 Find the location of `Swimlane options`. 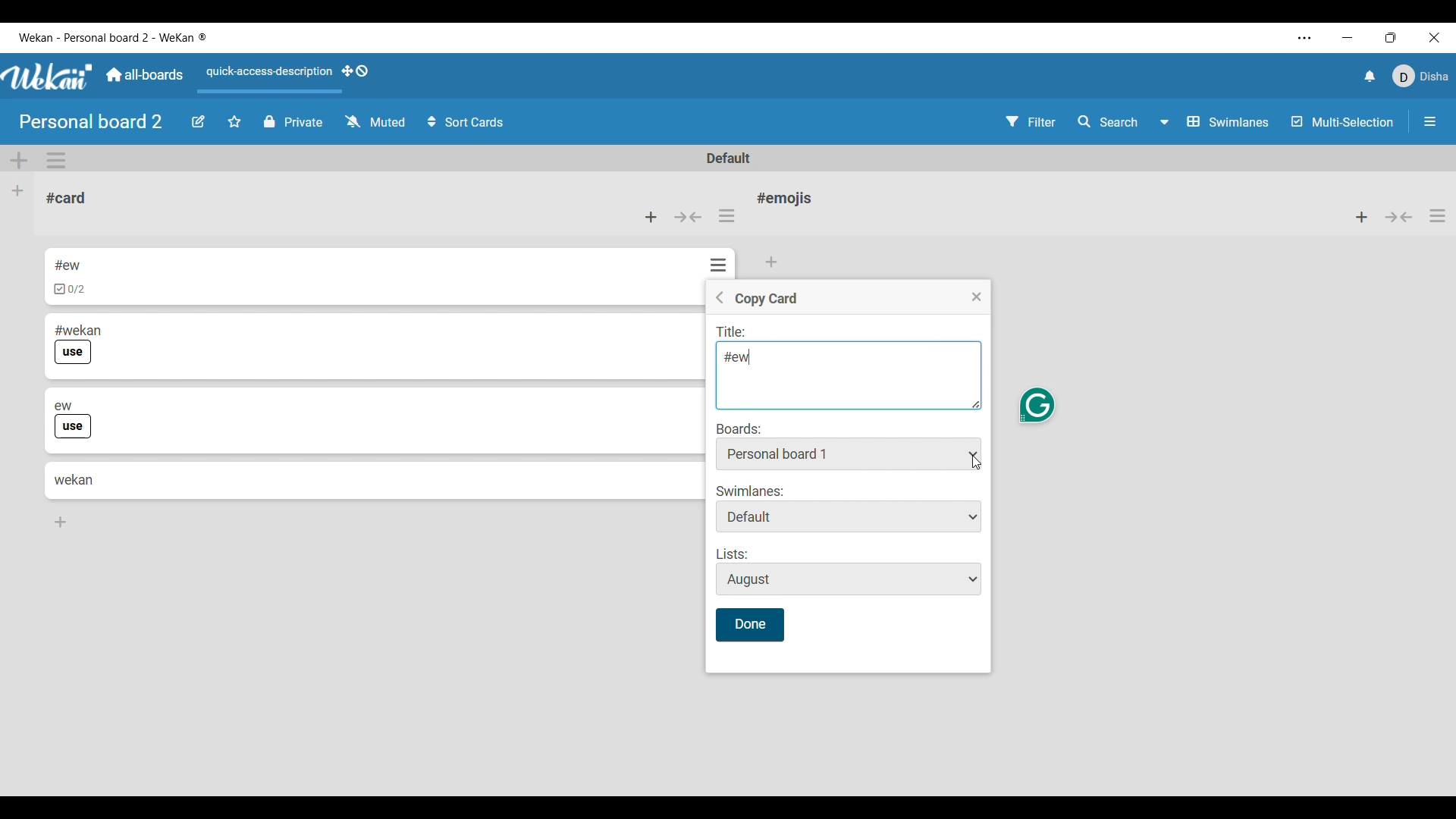

Swimlane options is located at coordinates (849, 516).